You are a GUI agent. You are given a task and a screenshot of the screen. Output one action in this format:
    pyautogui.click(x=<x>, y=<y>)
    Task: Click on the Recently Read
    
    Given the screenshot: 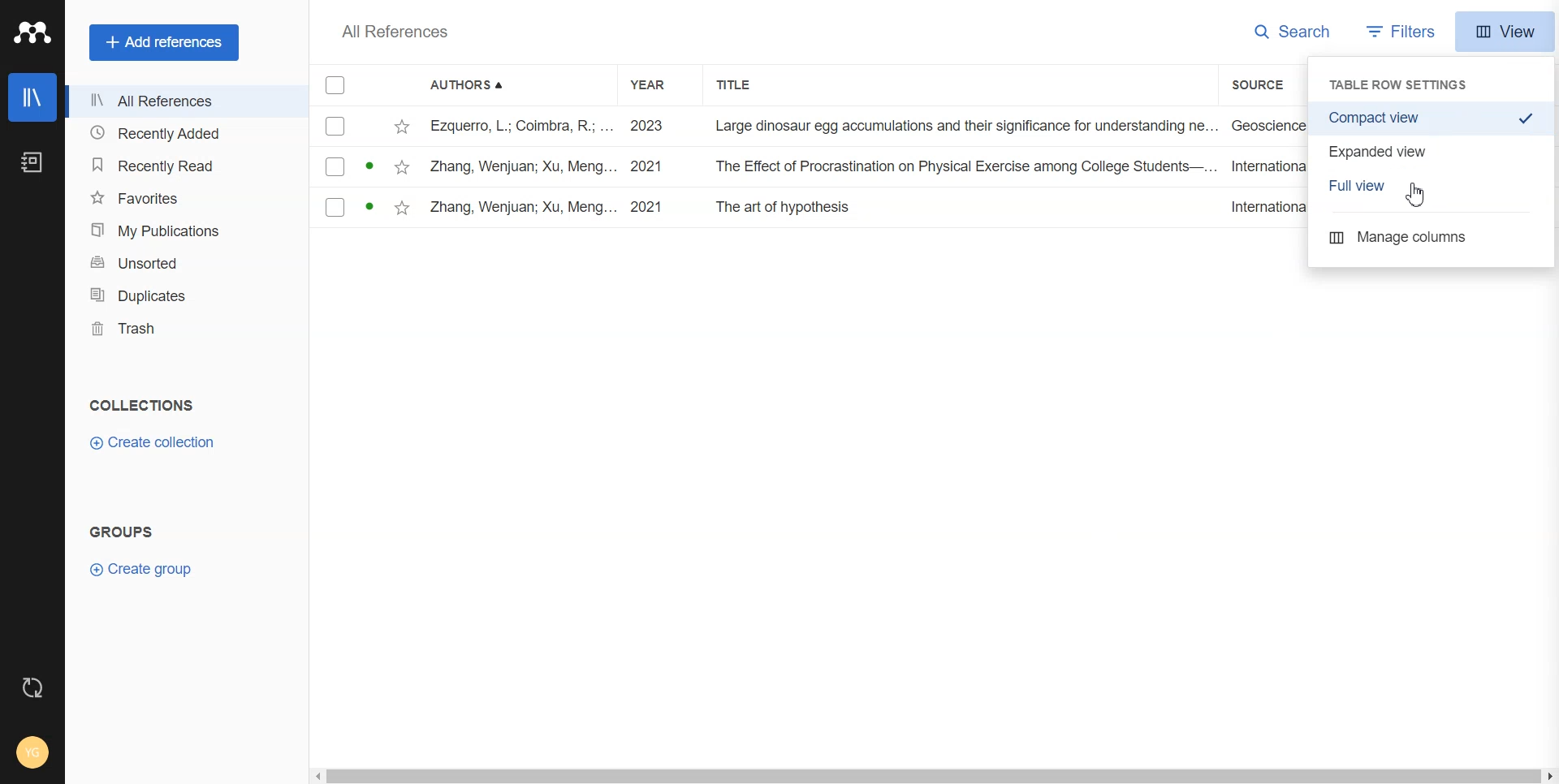 What is the action you would take?
    pyautogui.click(x=172, y=164)
    